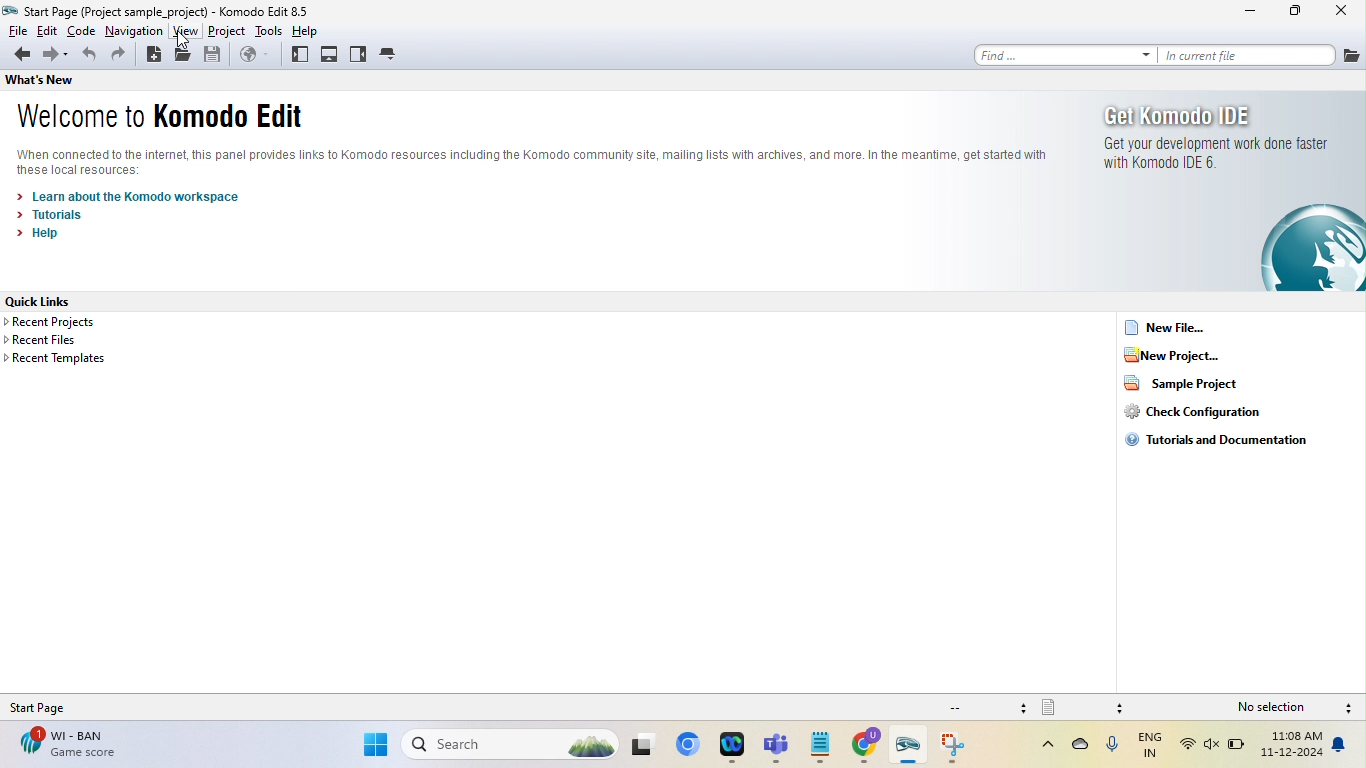 The width and height of the screenshot is (1366, 768). What do you see at coordinates (1198, 354) in the screenshot?
I see `new project` at bounding box center [1198, 354].